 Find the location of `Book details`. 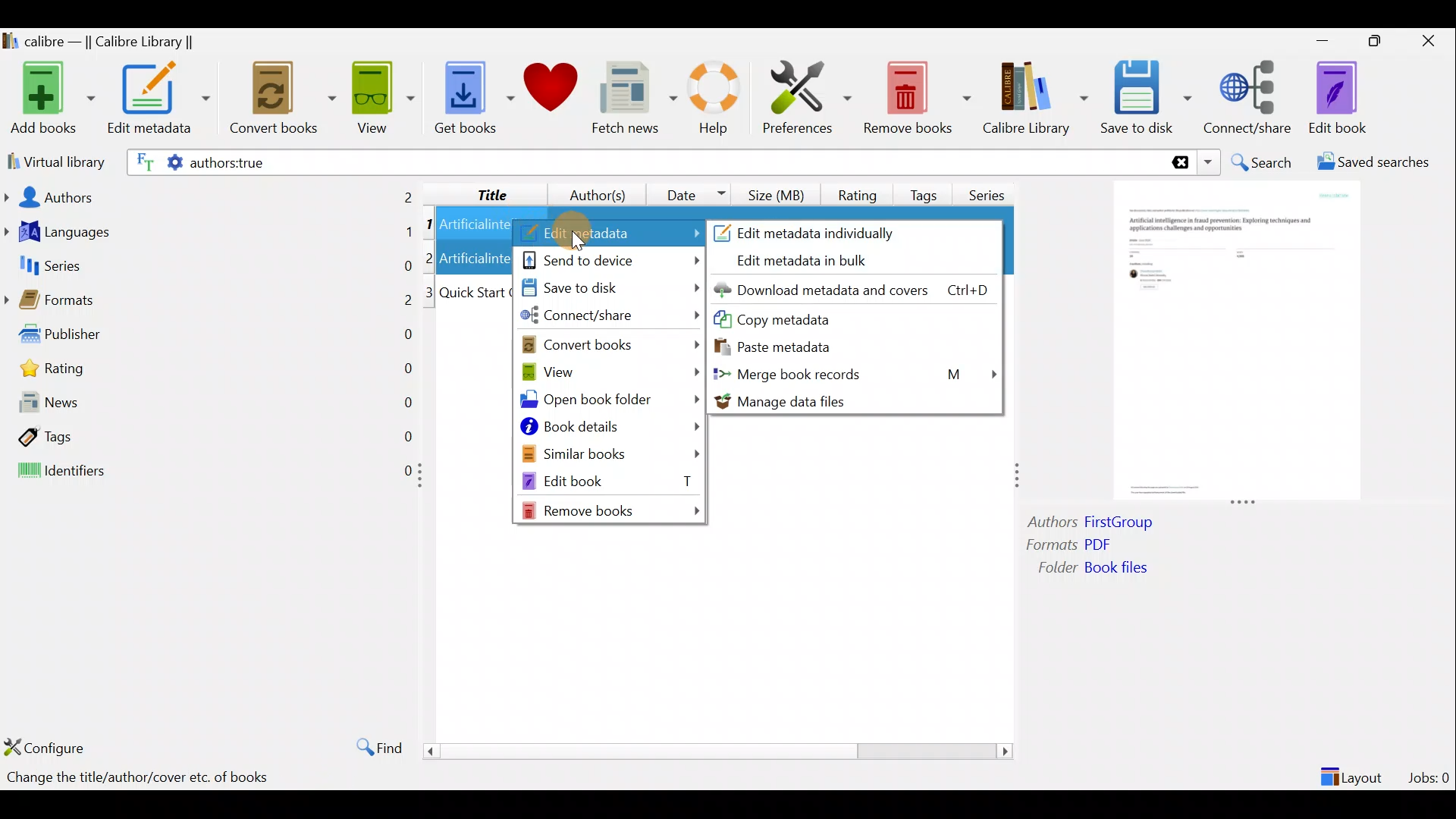

Book details is located at coordinates (609, 429).